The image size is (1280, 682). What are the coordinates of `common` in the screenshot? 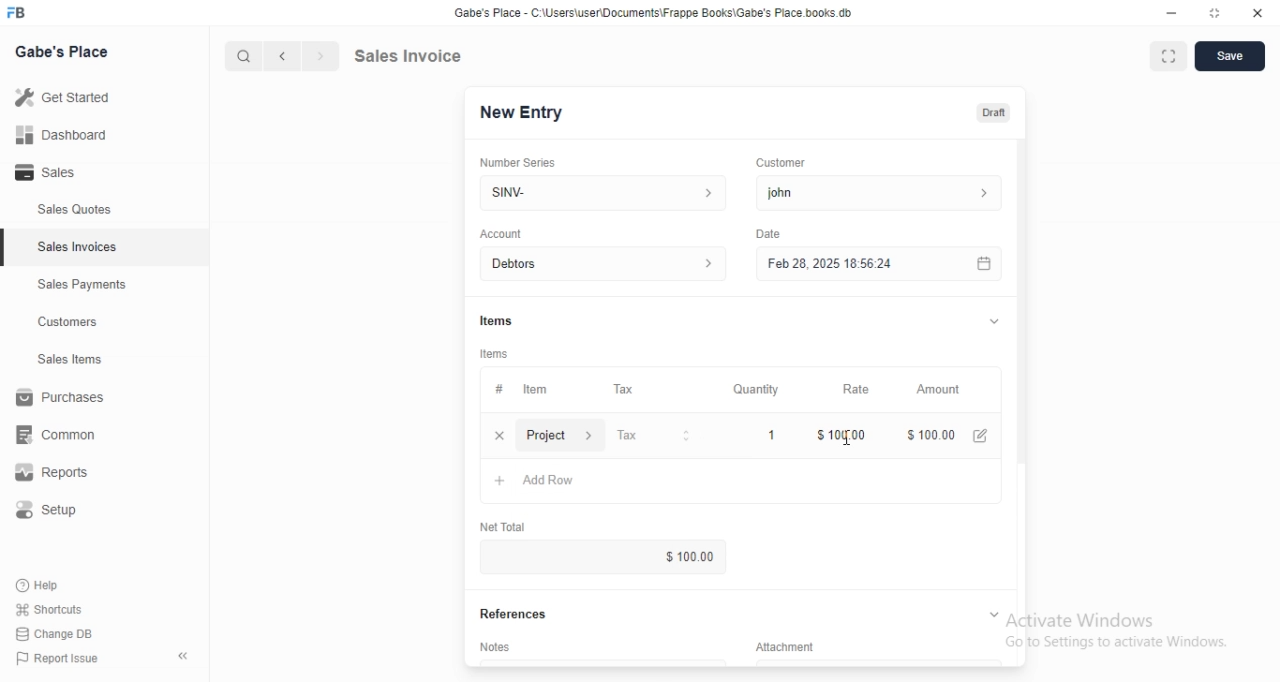 It's located at (62, 434).